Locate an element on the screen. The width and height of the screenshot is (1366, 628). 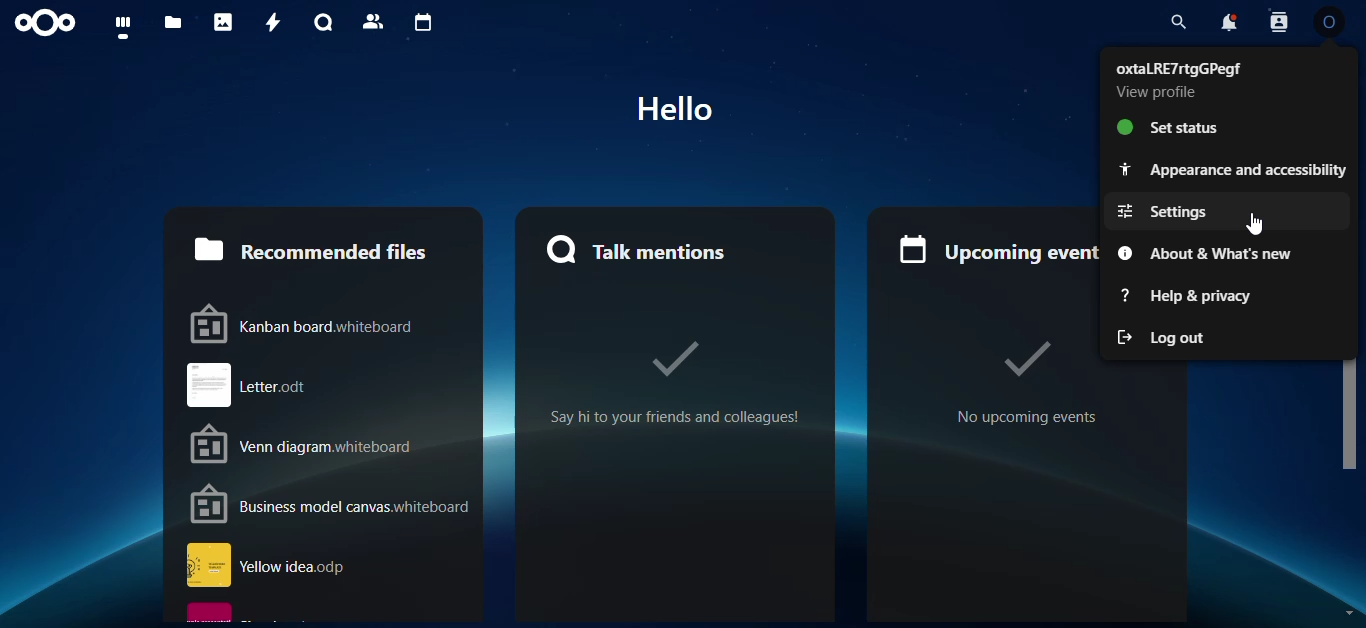
activity is located at coordinates (269, 21).